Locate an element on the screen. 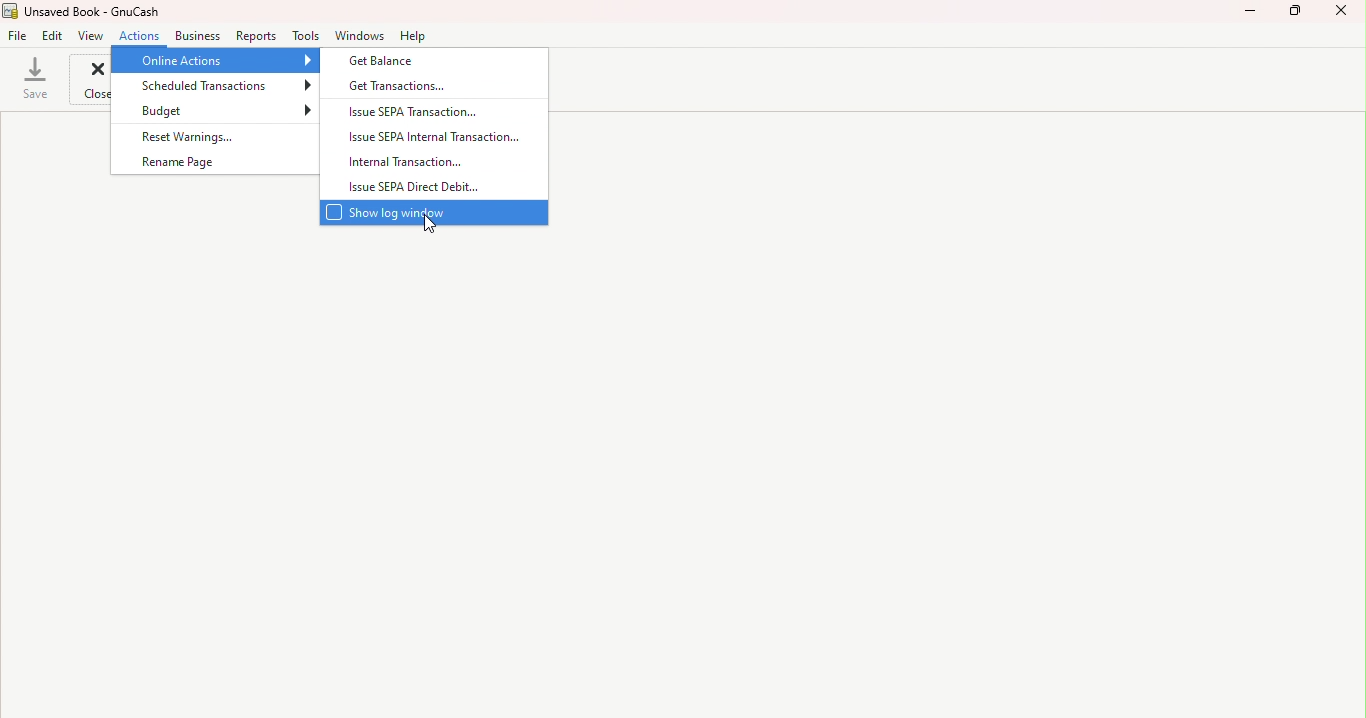  Maximize is located at coordinates (1299, 14).